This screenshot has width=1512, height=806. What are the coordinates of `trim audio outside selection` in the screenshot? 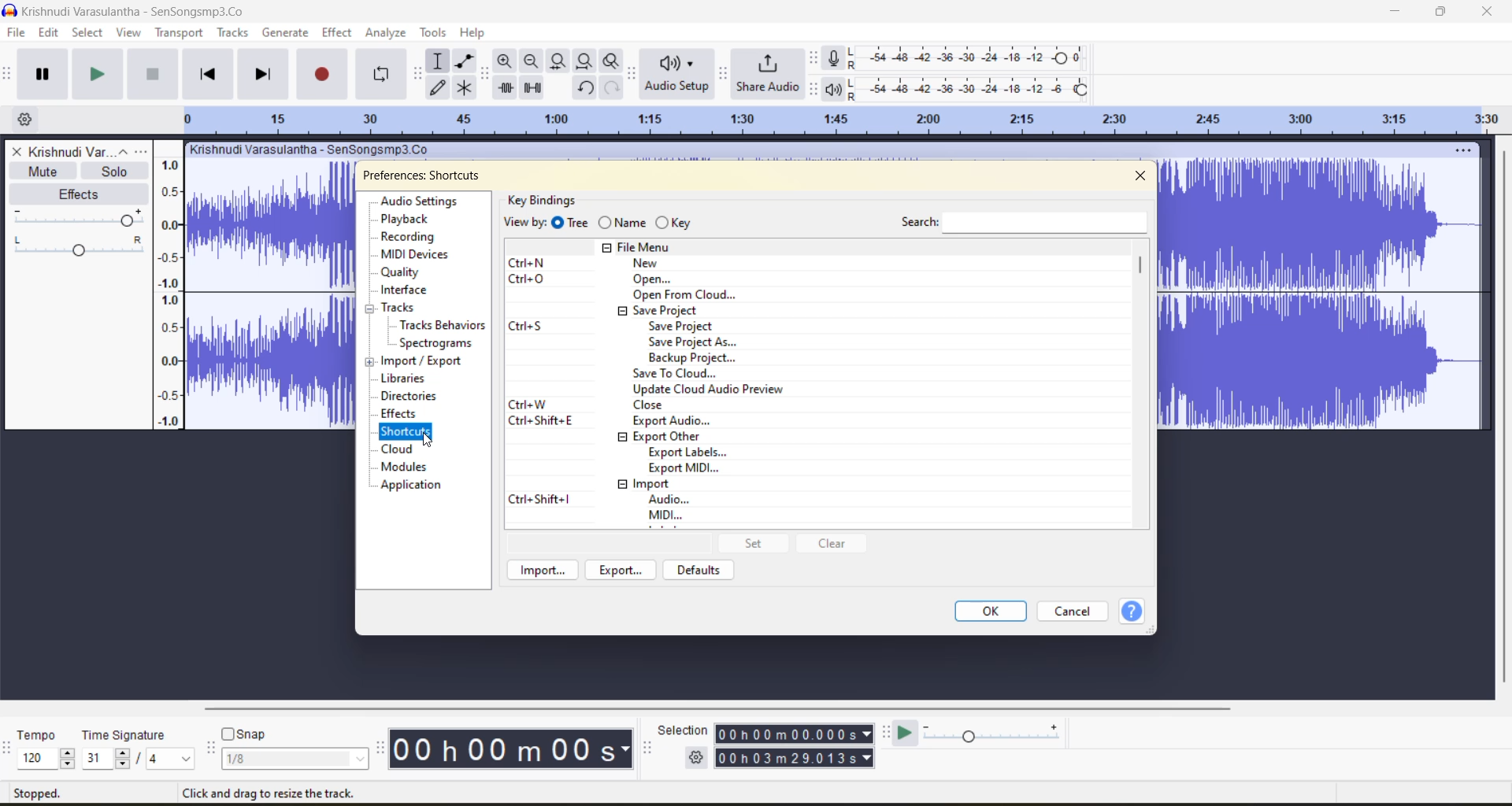 It's located at (505, 89).